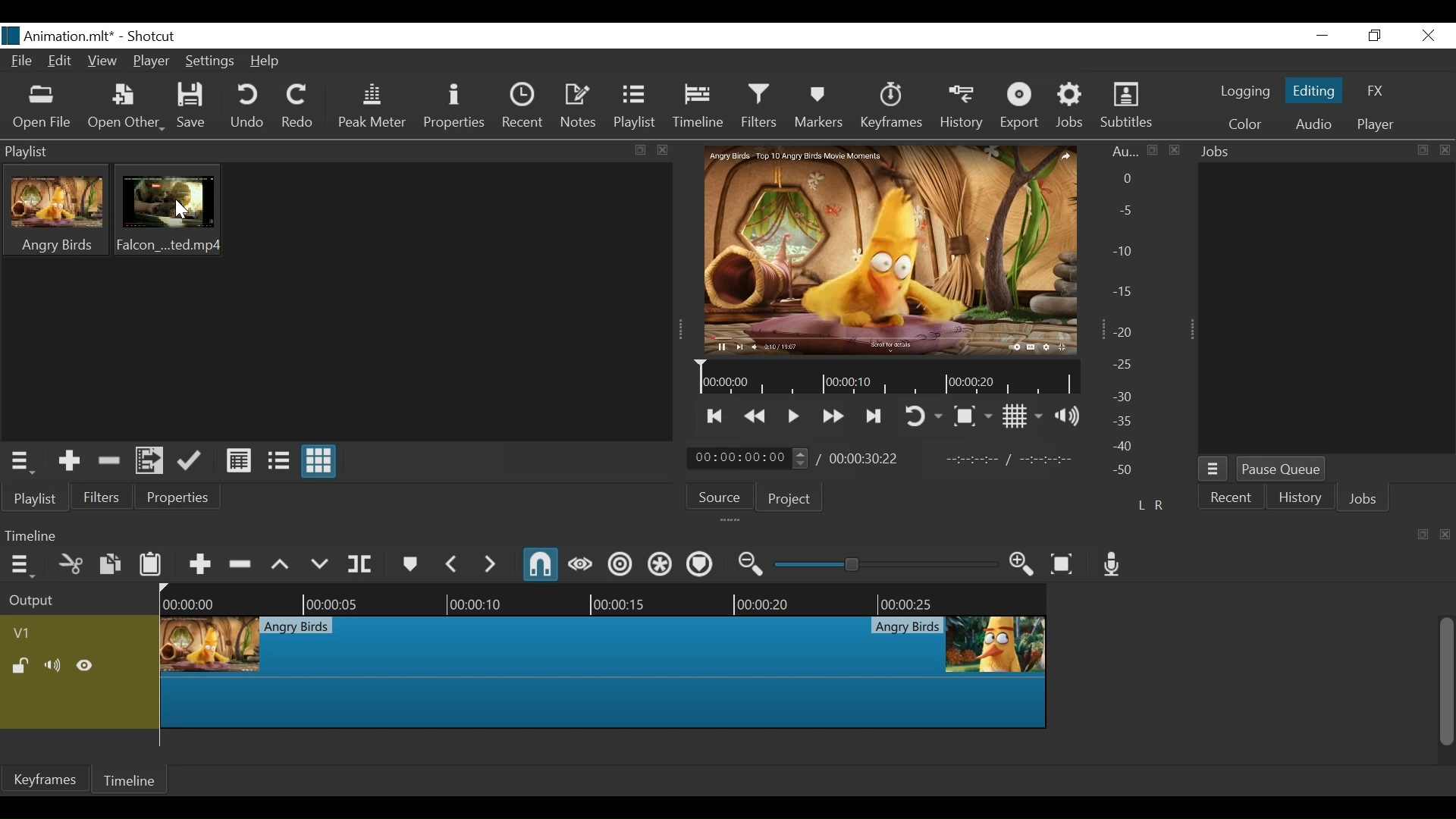 The height and width of the screenshot is (819, 1456). What do you see at coordinates (1447, 682) in the screenshot?
I see `Vertical Scroll bar` at bounding box center [1447, 682].